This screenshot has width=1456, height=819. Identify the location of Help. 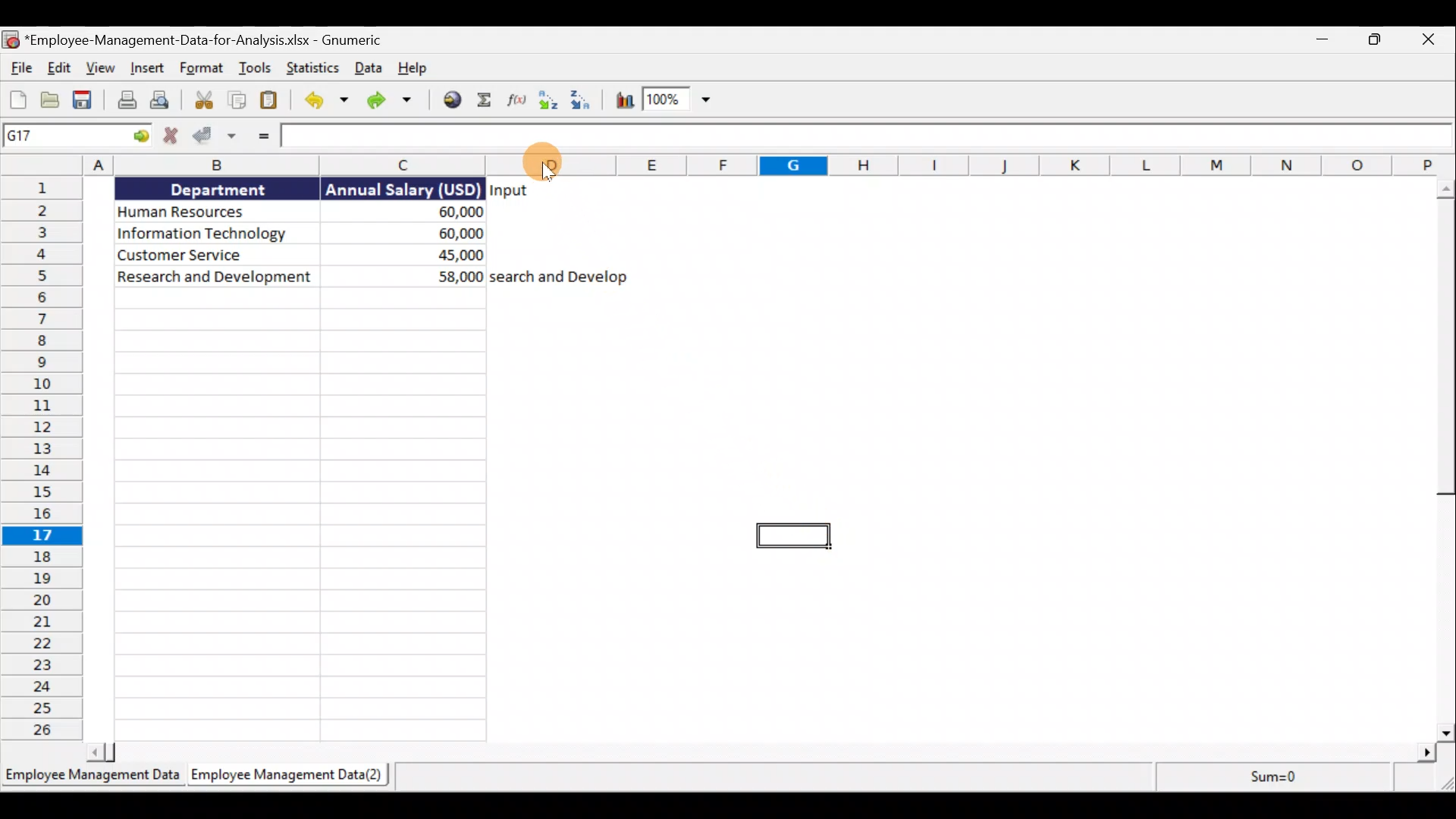
(410, 66).